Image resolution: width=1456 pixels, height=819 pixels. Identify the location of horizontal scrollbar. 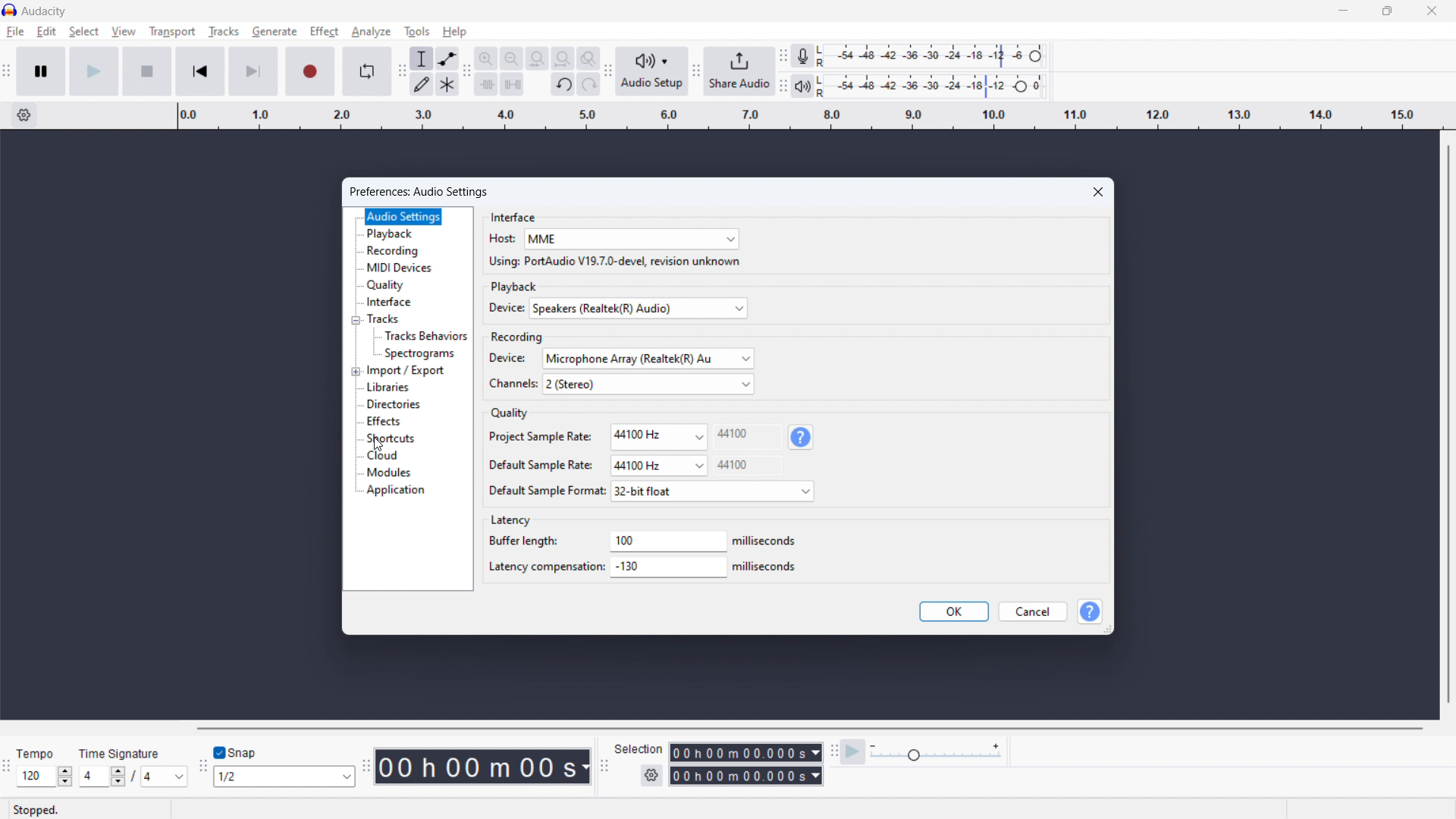
(808, 729).